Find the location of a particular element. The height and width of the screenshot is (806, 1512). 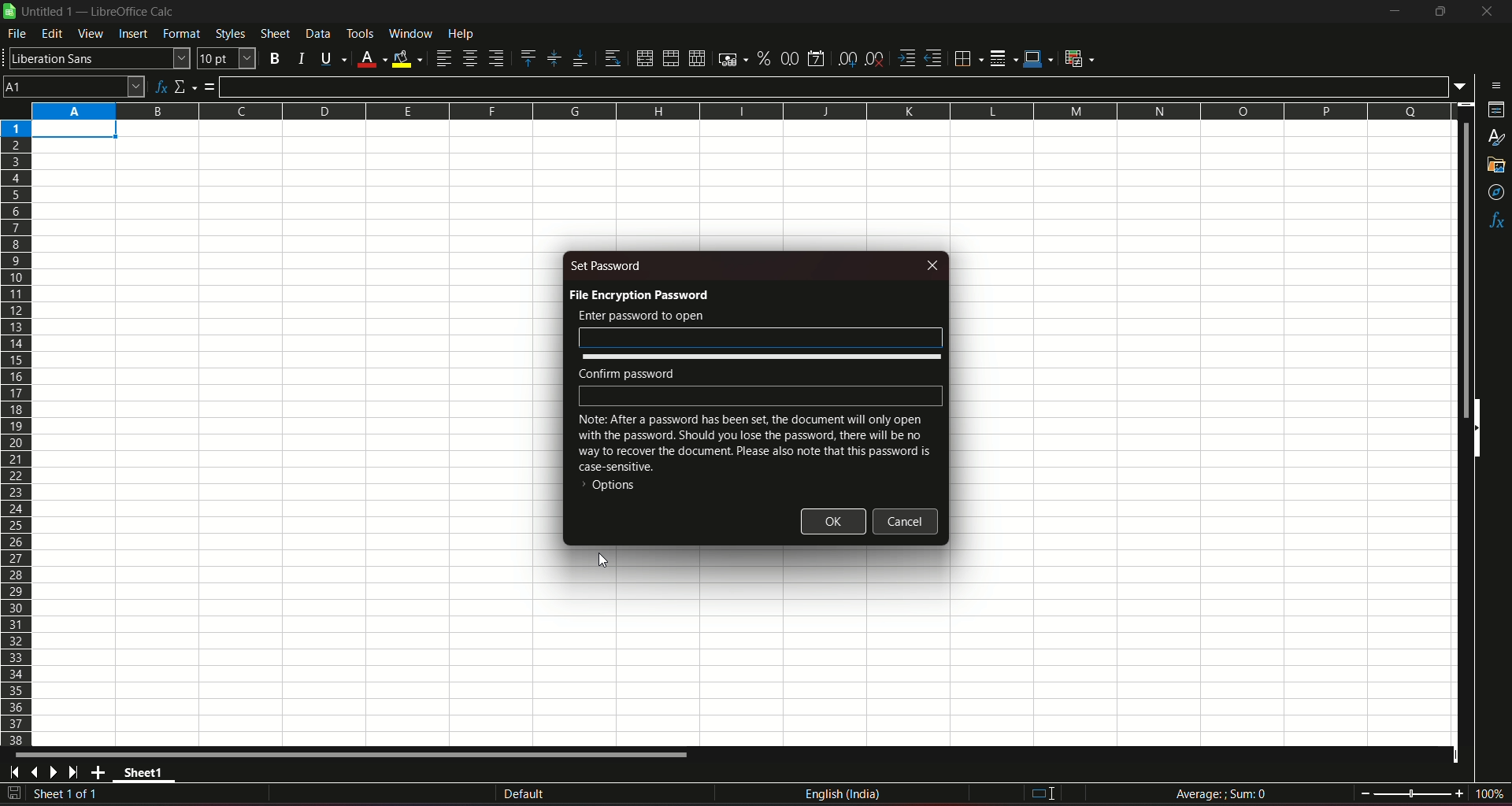

horizontal scroll is located at coordinates (356, 755).